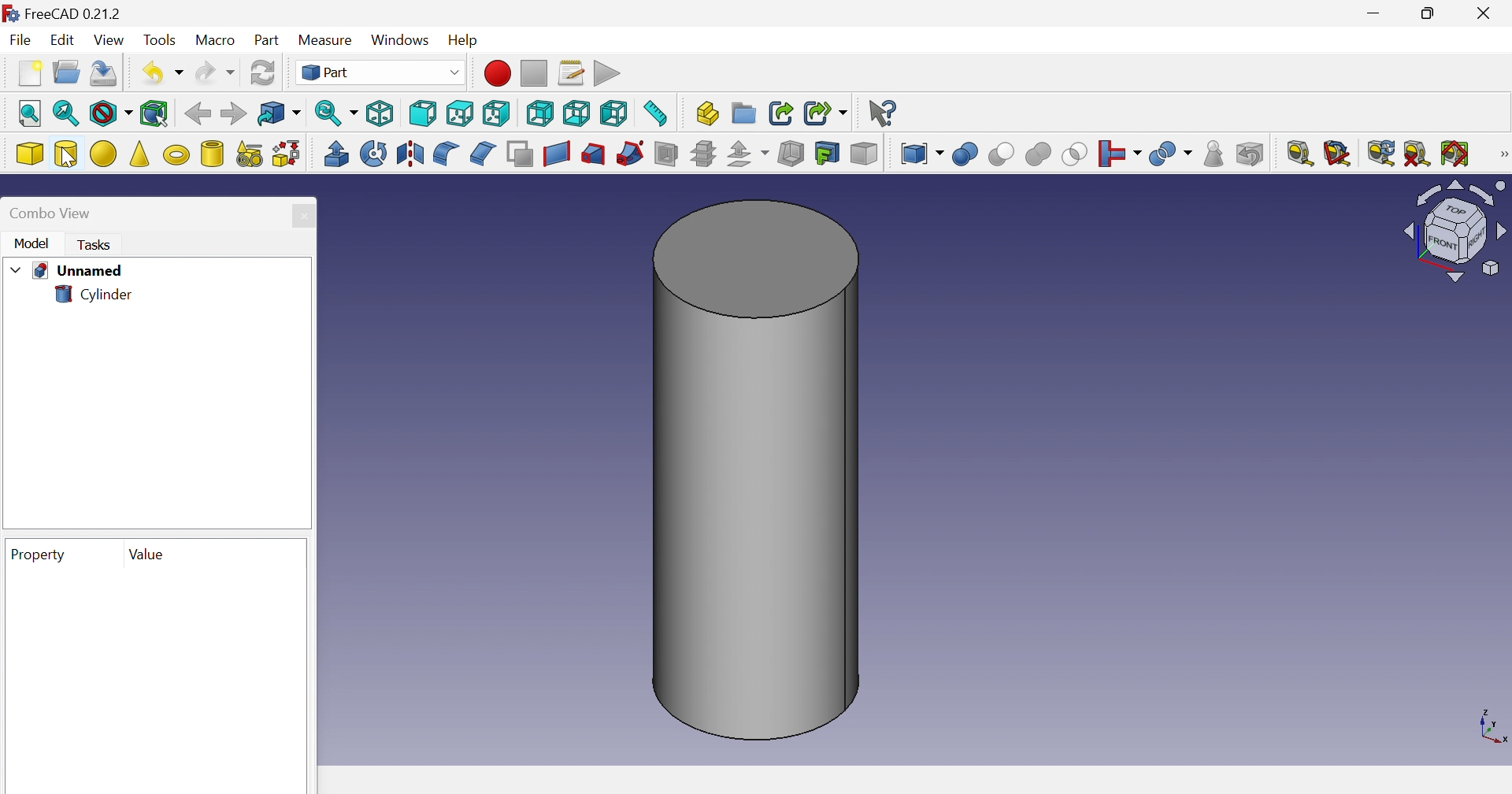 This screenshot has width=1512, height=794. What do you see at coordinates (335, 113) in the screenshot?
I see `Sync view` at bounding box center [335, 113].